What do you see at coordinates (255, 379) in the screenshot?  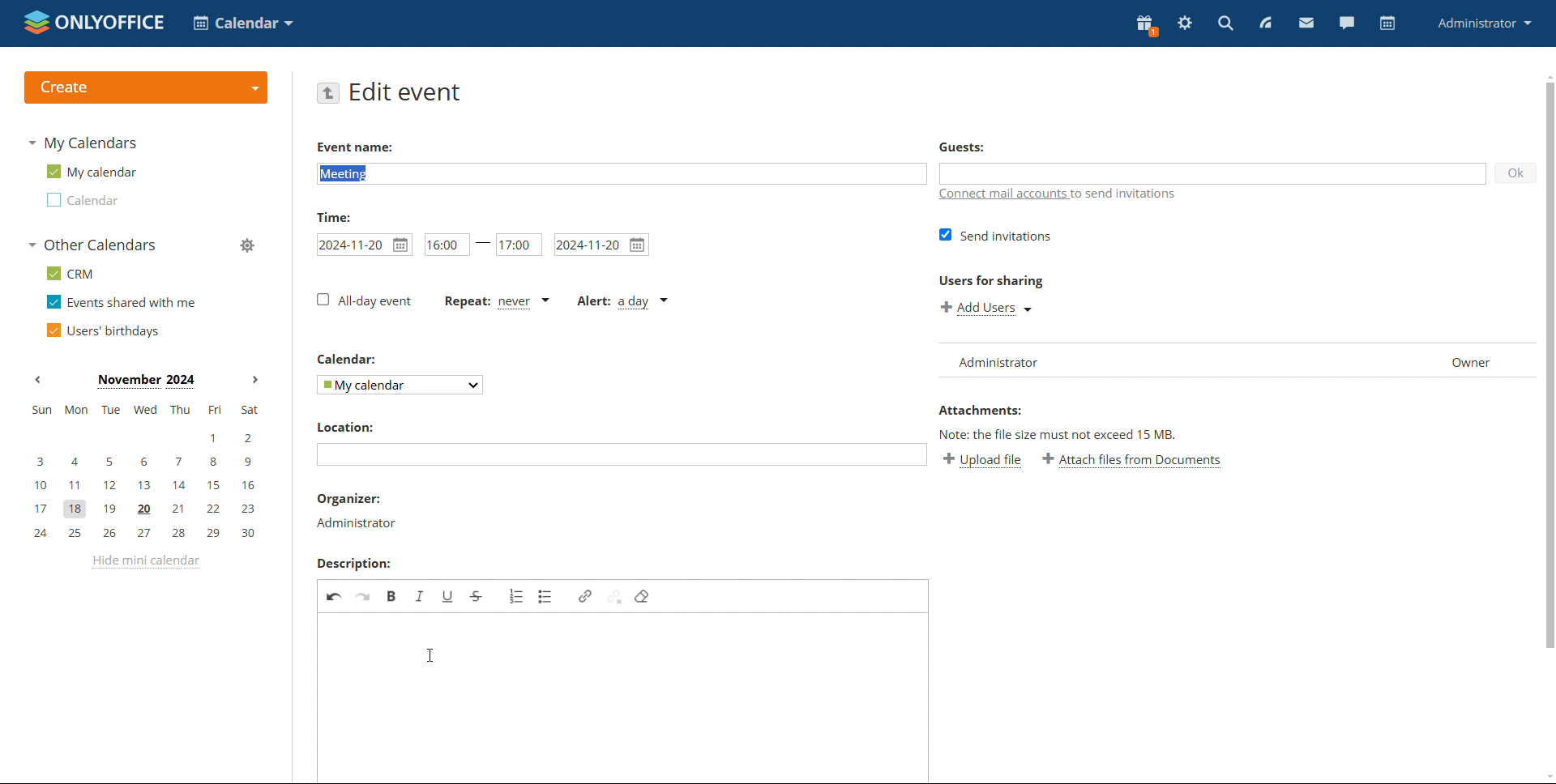 I see `next month` at bounding box center [255, 379].